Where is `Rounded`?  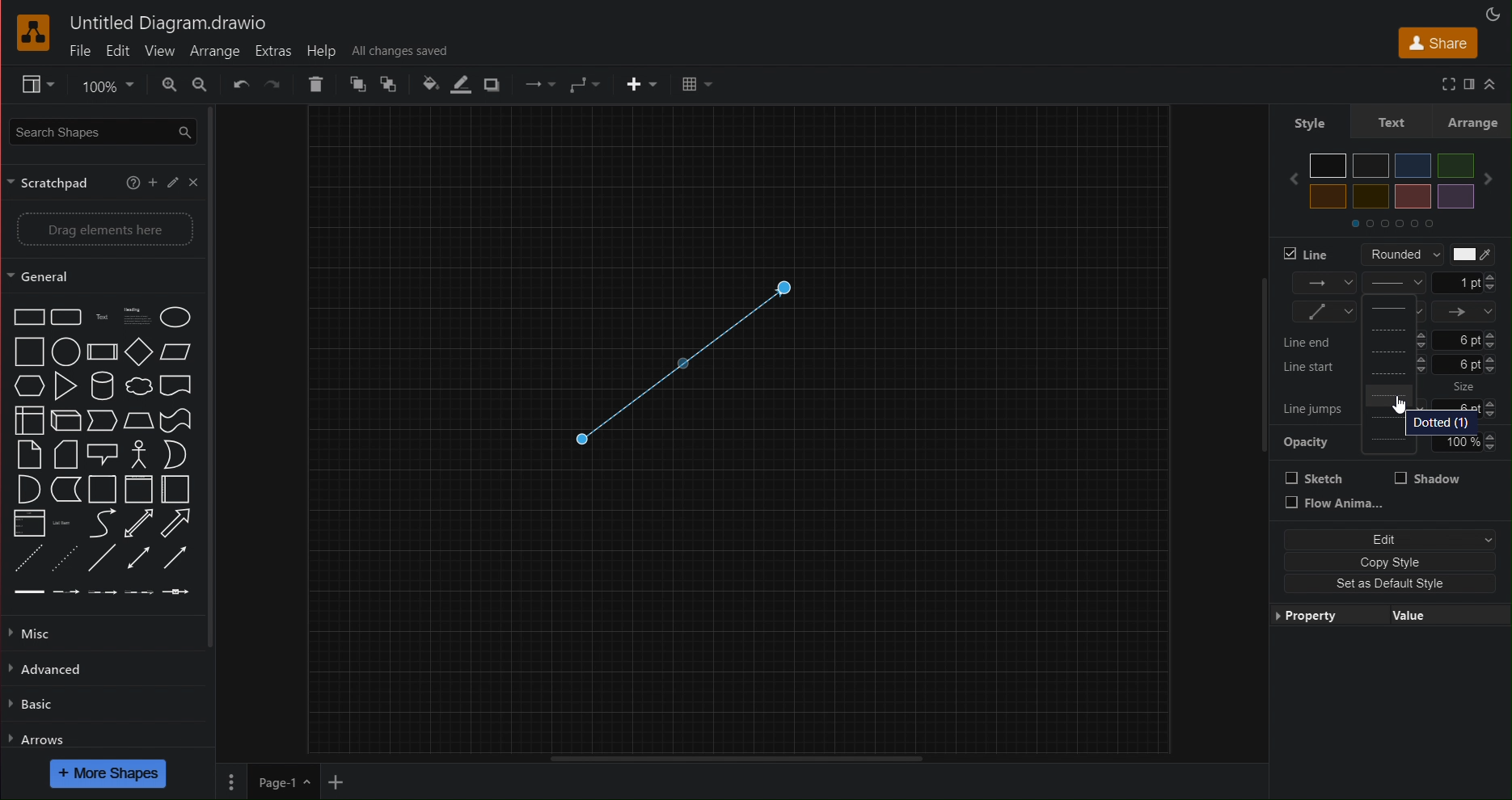 Rounded is located at coordinates (1396, 254).